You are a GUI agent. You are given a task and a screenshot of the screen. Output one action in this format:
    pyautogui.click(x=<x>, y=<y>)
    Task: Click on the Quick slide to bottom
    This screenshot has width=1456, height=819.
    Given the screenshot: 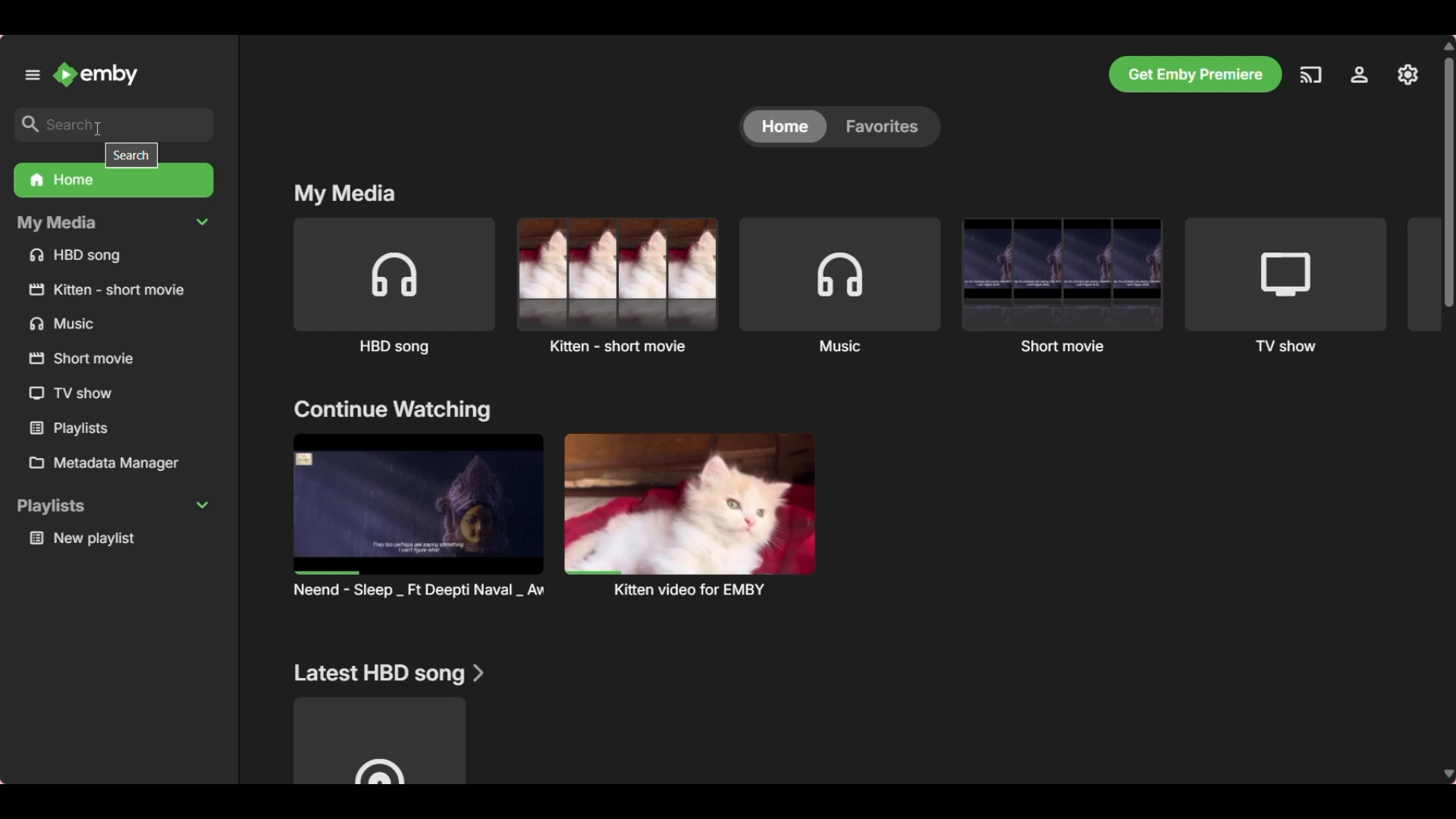 What is the action you would take?
    pyautogui.click(x=1449, y=46)
    